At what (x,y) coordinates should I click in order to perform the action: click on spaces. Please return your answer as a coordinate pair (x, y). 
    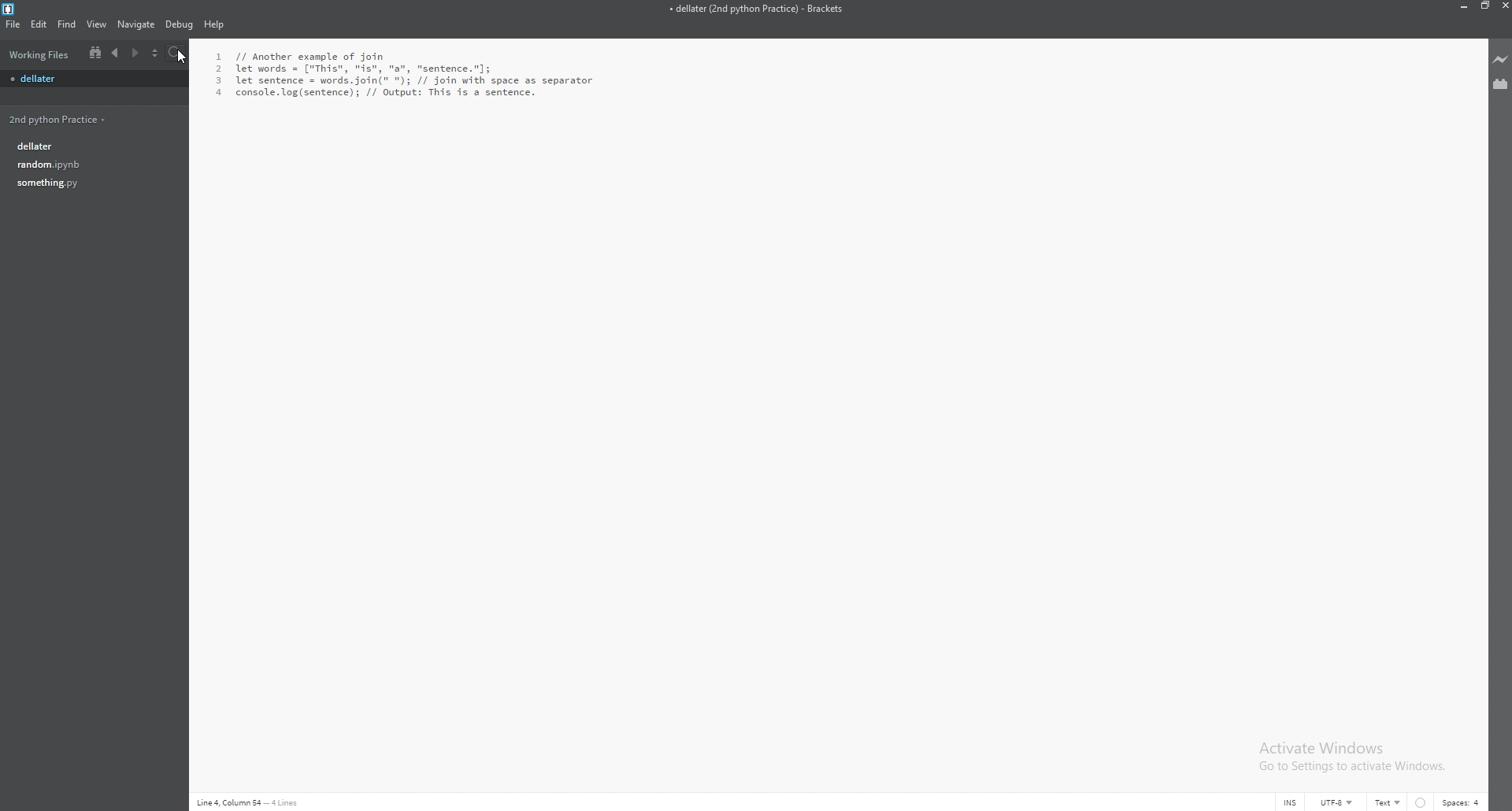
    Looking at the image, I should click on (1462, 802).